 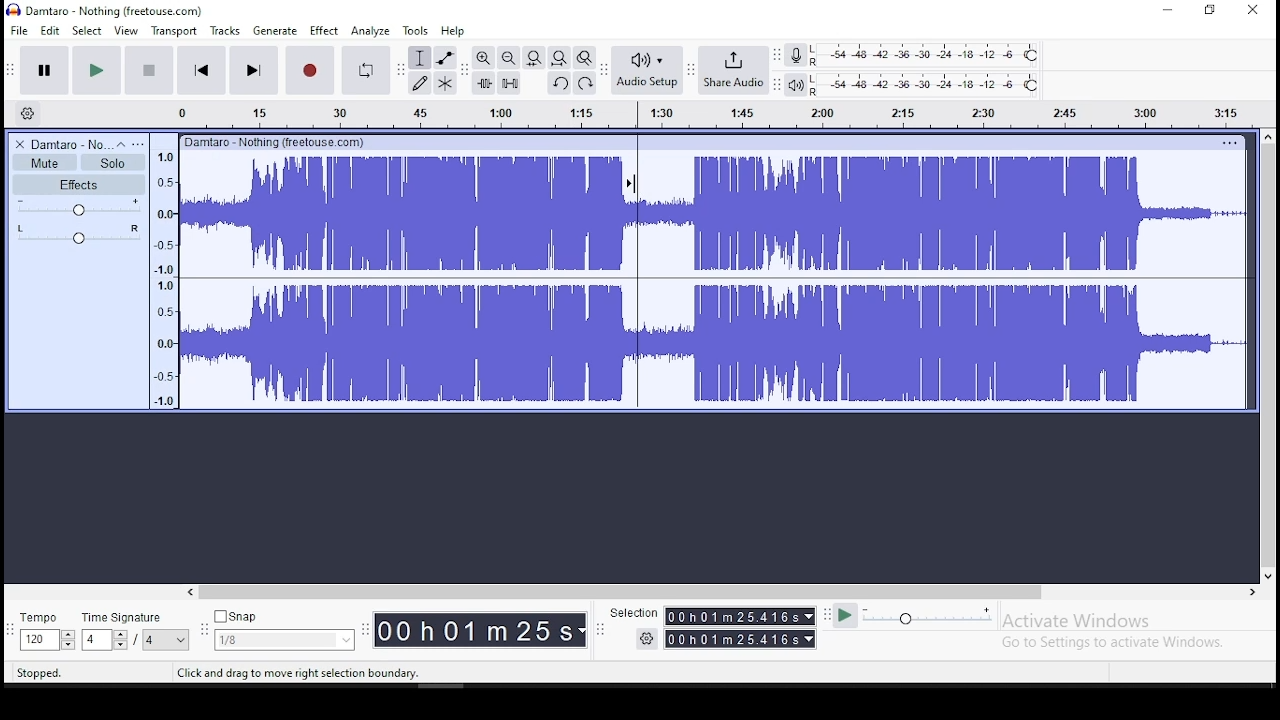 I want to click on options, so click(x=1227, y=142).